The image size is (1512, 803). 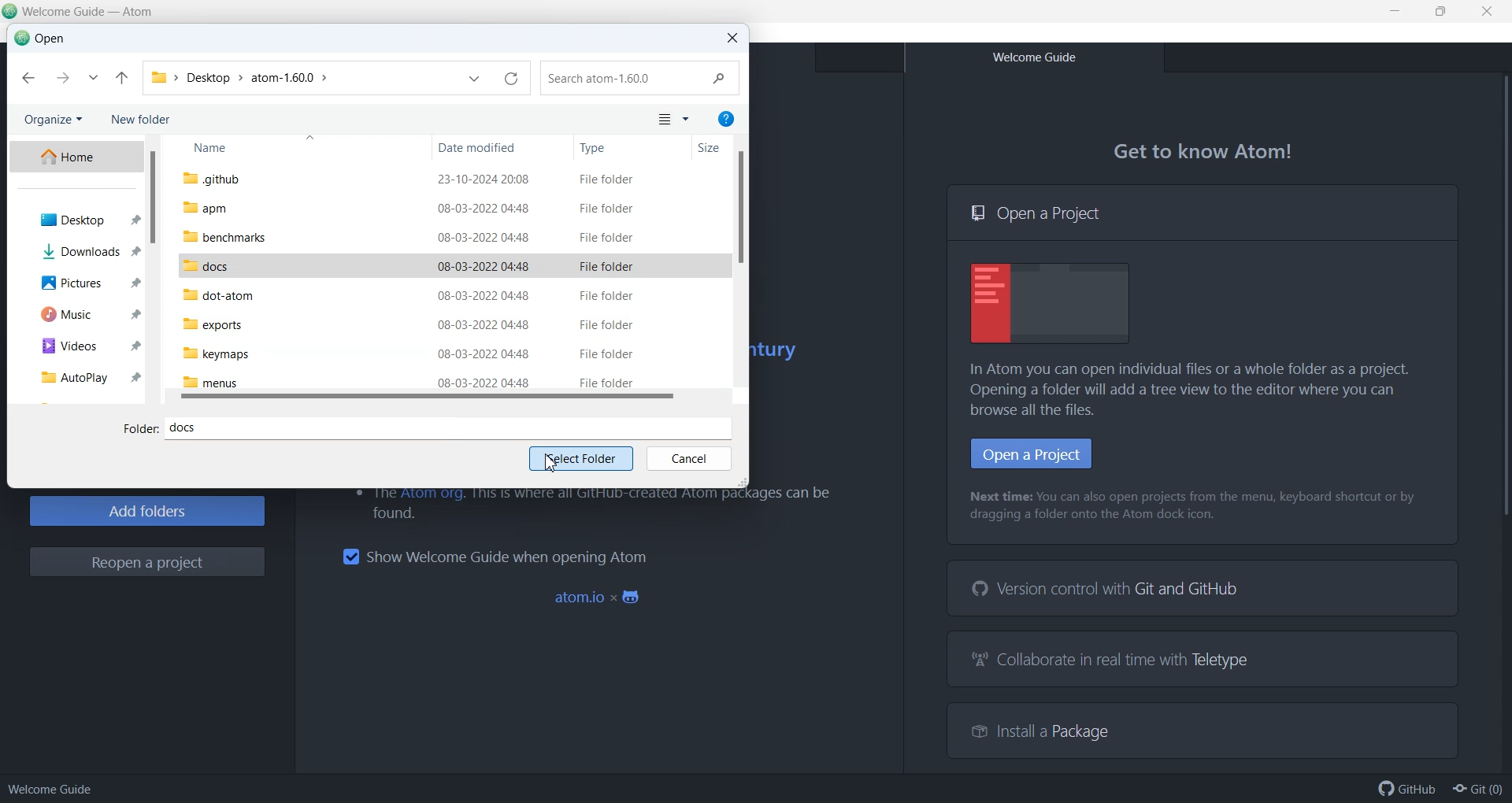 I want to click on Welcome guide, so click(x=50, y=789).